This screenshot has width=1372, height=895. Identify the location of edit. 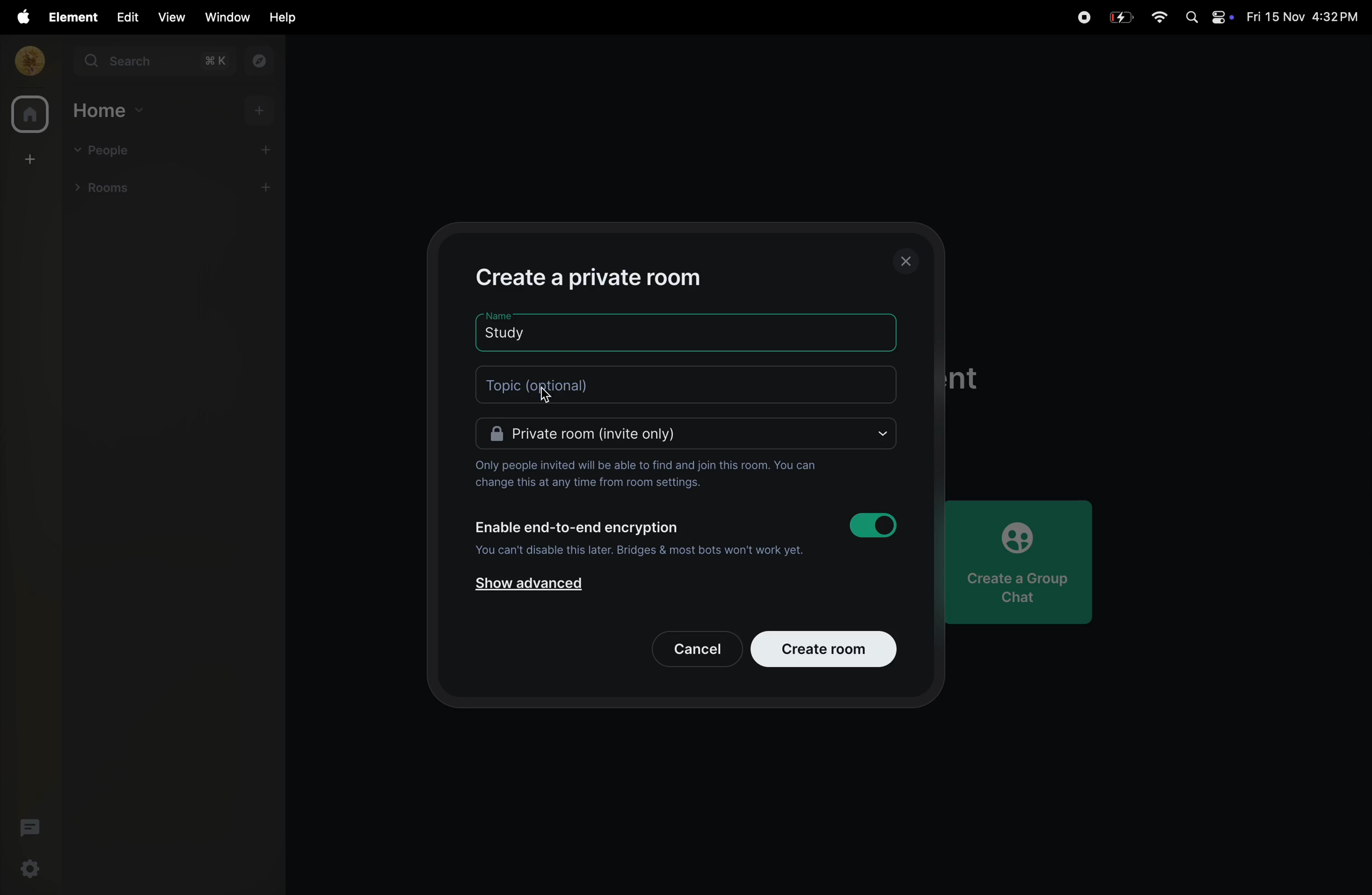
(125, 17).